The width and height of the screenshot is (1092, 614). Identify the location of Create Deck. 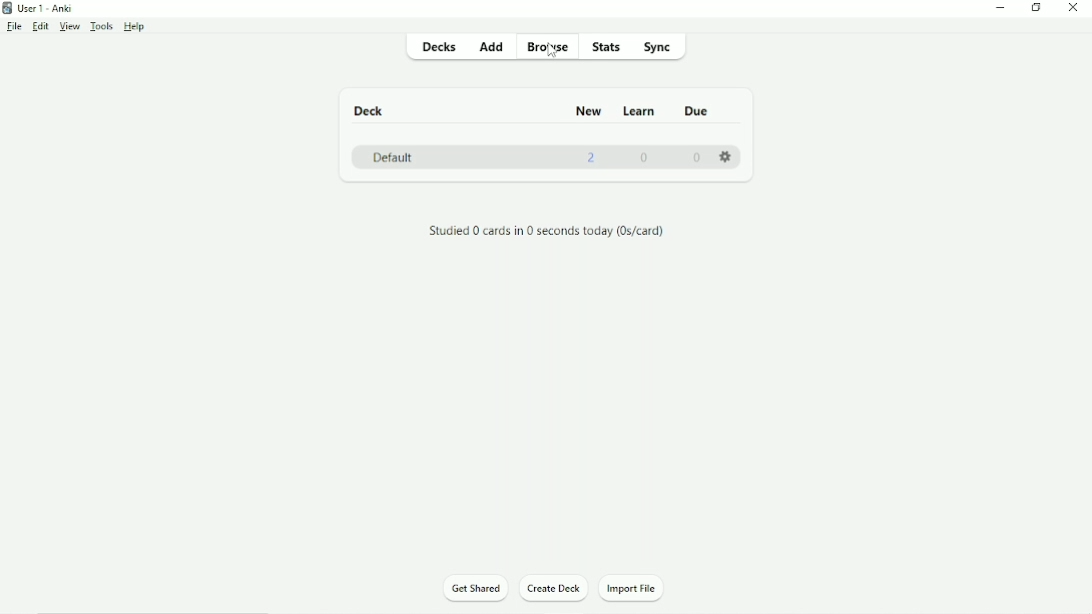
(556, 589).